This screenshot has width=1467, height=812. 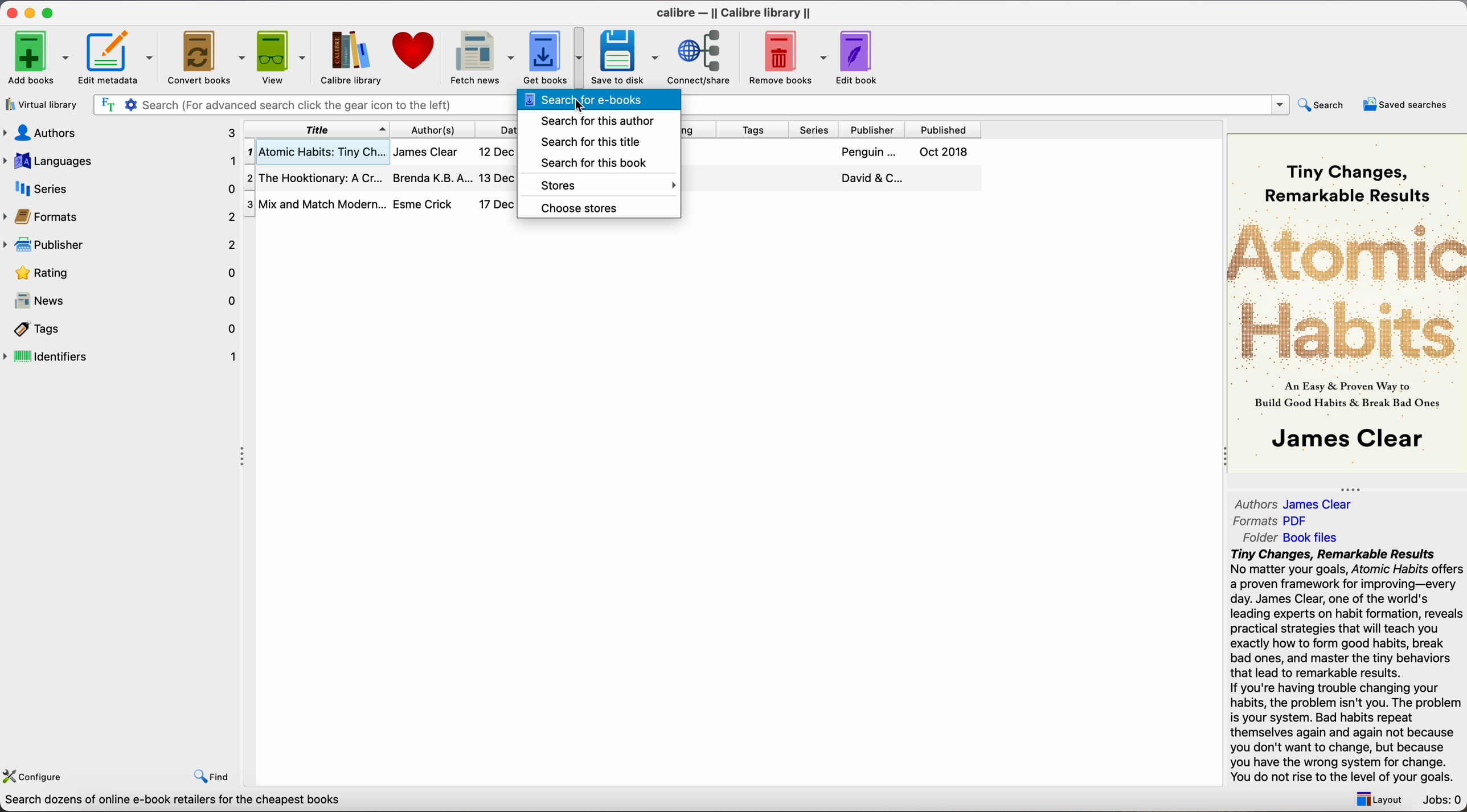 What do you see at coordinates (588, 142) in the screenshot?
I see `search for this title` at bounding box center [588, 142].